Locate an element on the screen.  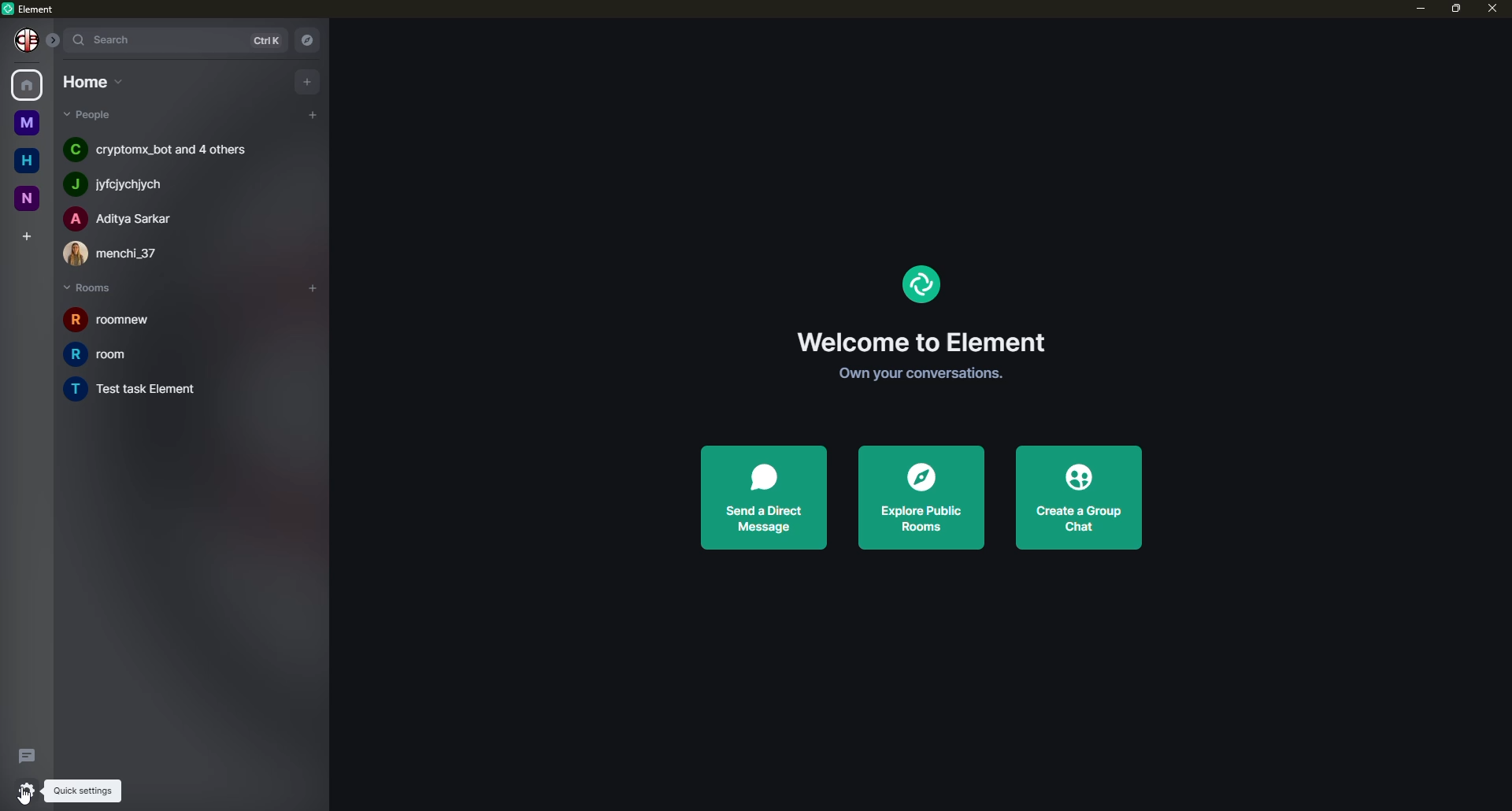
home is located at coordinates (30, 85).